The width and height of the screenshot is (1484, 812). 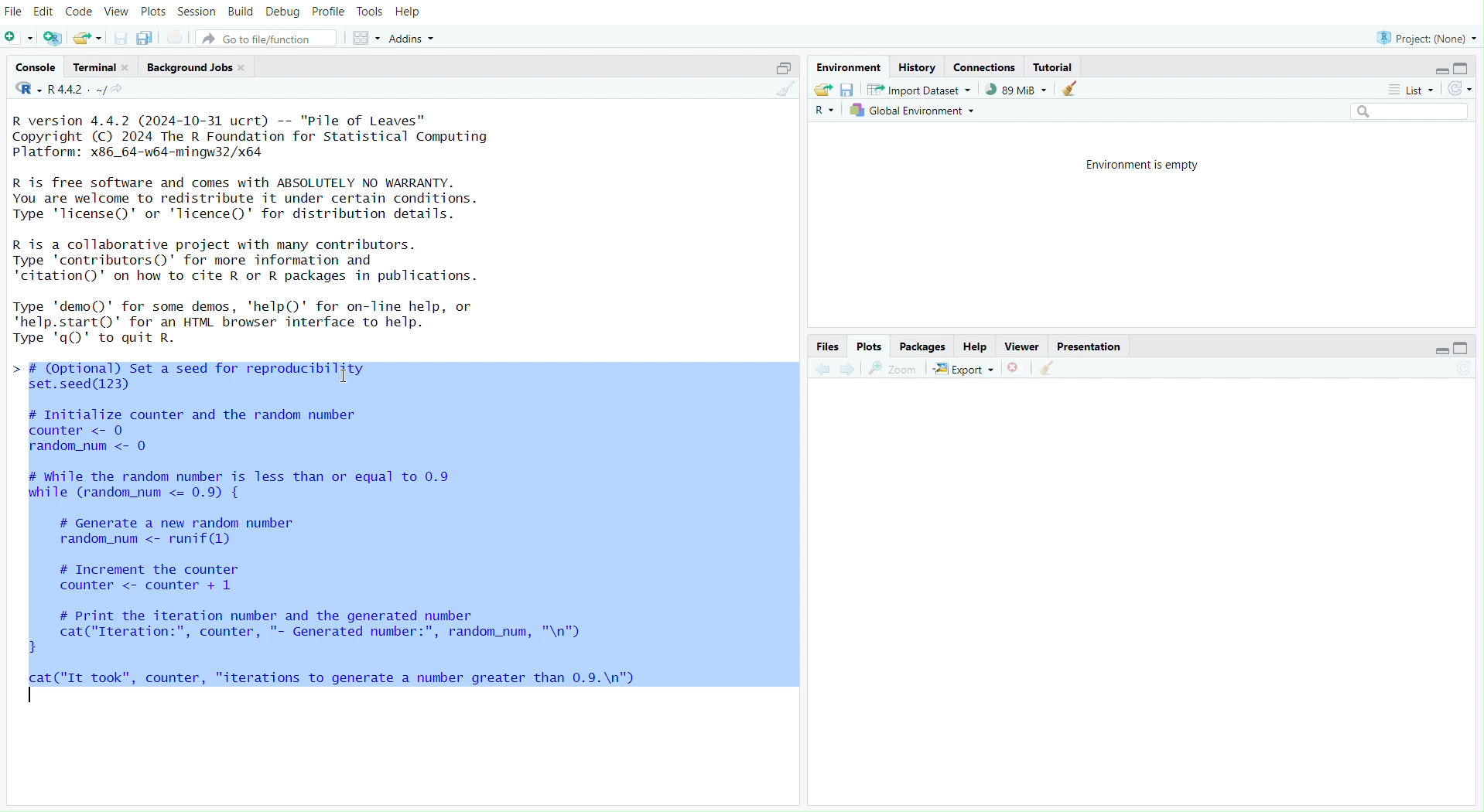 What do you see at coordinates (36, 67) in the screenshot?
I see `Console` at bounding box center [36, 67].